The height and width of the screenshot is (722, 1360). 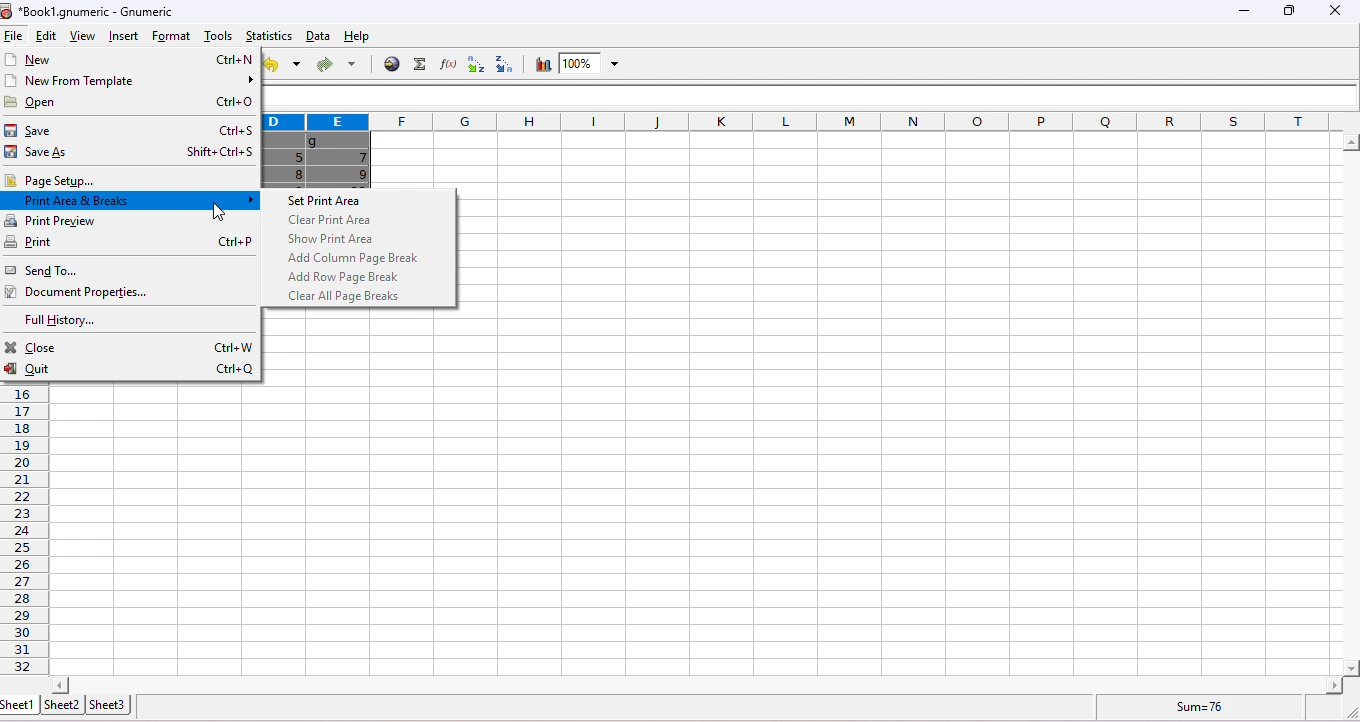 What do you see at coordinates (132, 102) in the screenshot?
I see `open` at bounding box center [132, 102].